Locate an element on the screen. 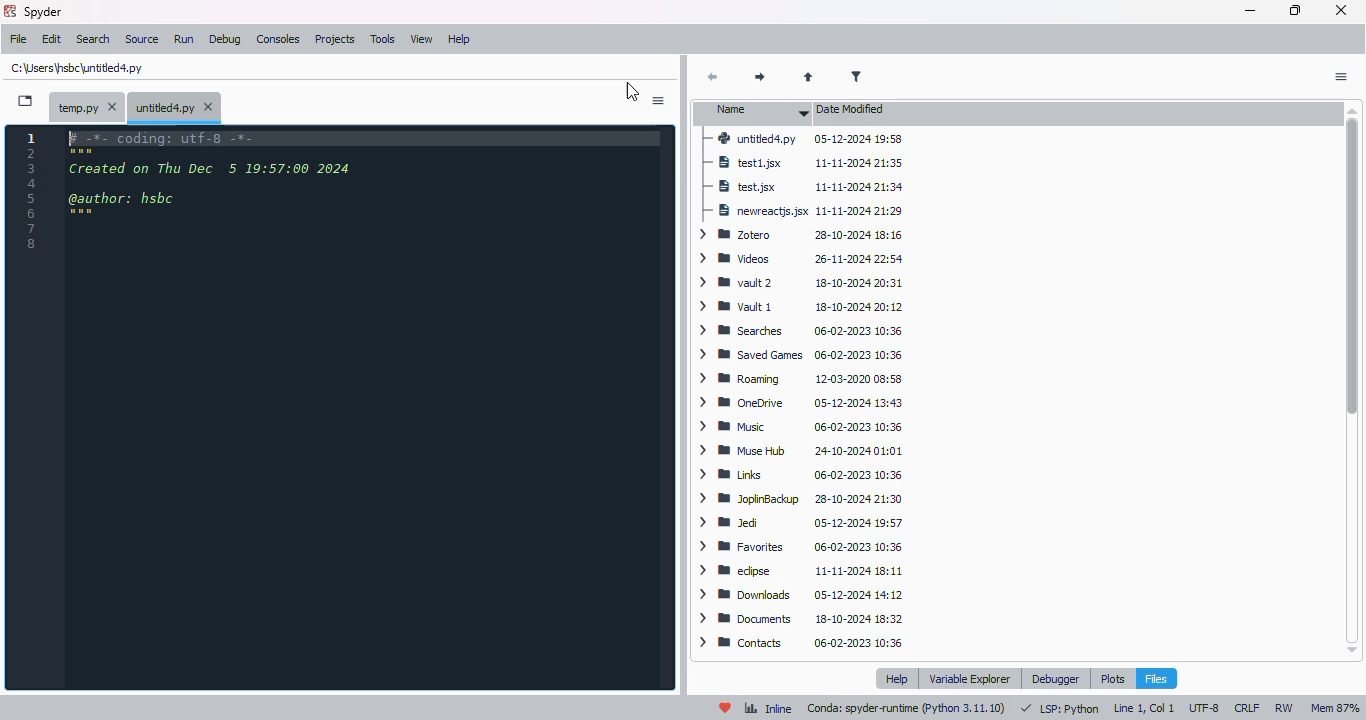 This screenshot has width=1366, height=720. projects is located at coordinates (335, 39).